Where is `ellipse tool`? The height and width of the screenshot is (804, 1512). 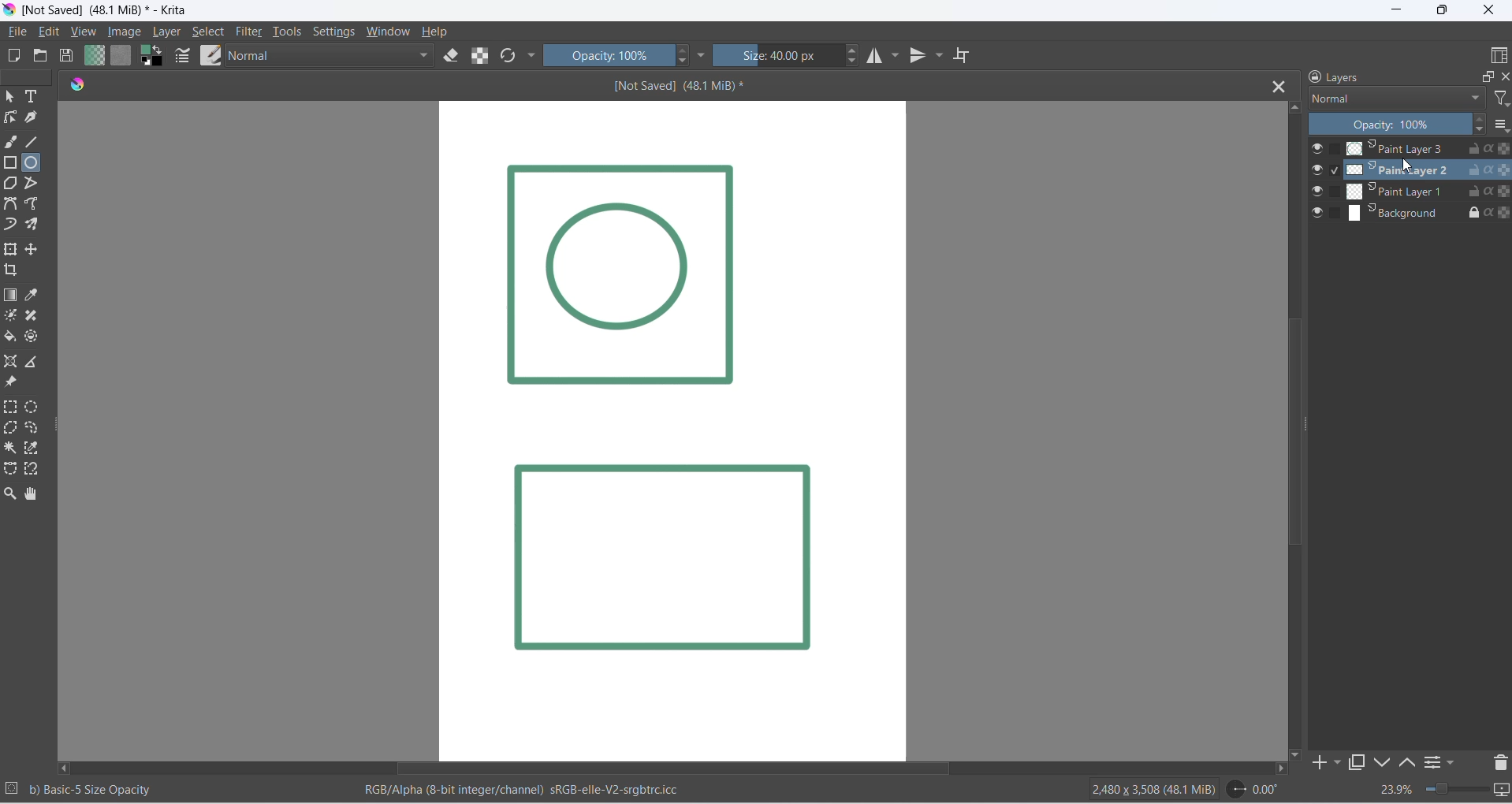 ellipse tool is located at coordinates (37, 164).